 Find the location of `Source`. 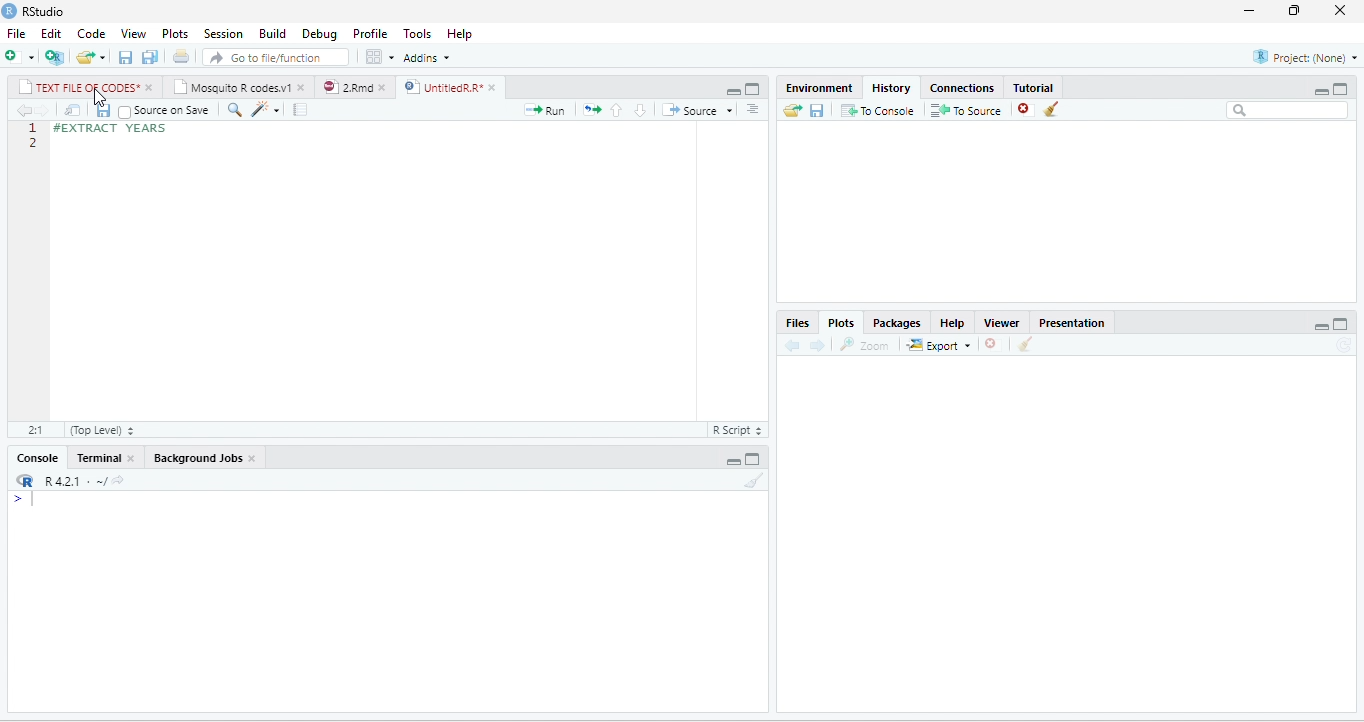

Source is located at coordinates (698, 110).